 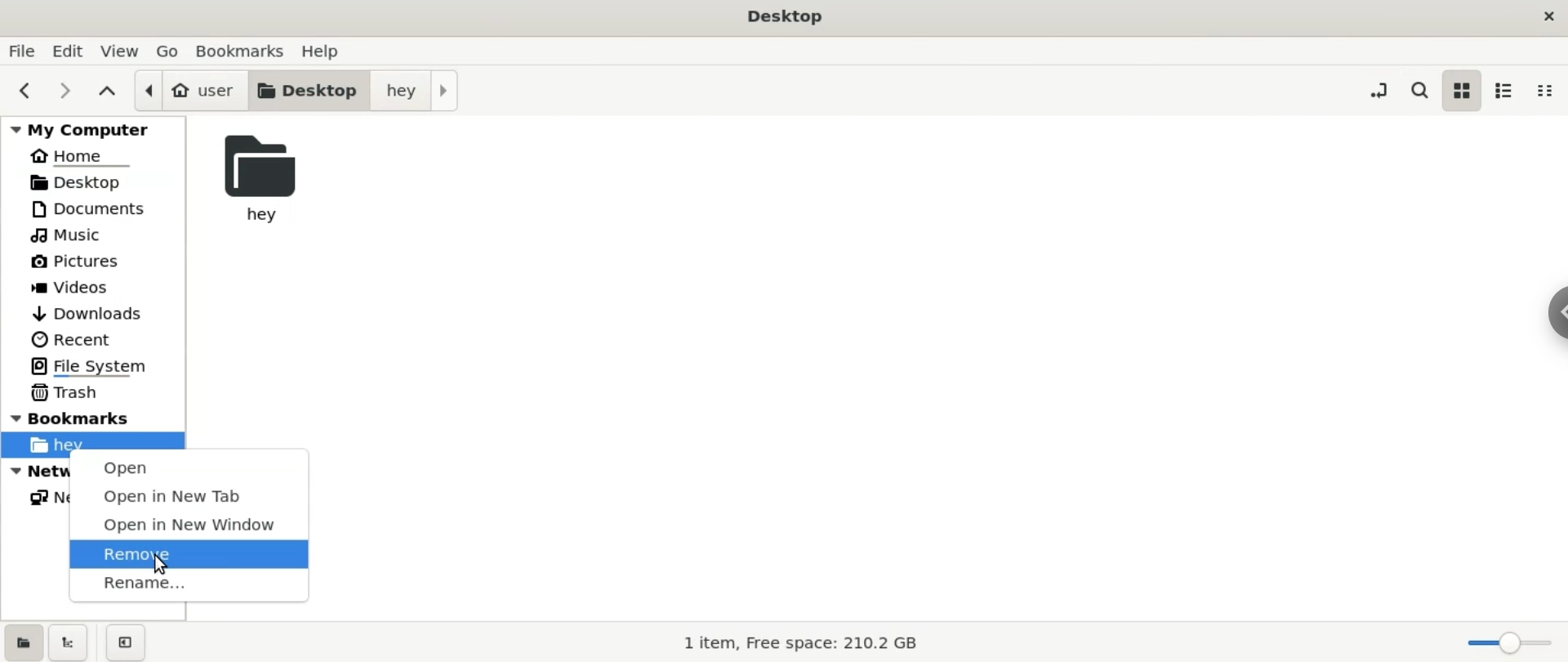 I want to click on user, so click(x=189, y=91).